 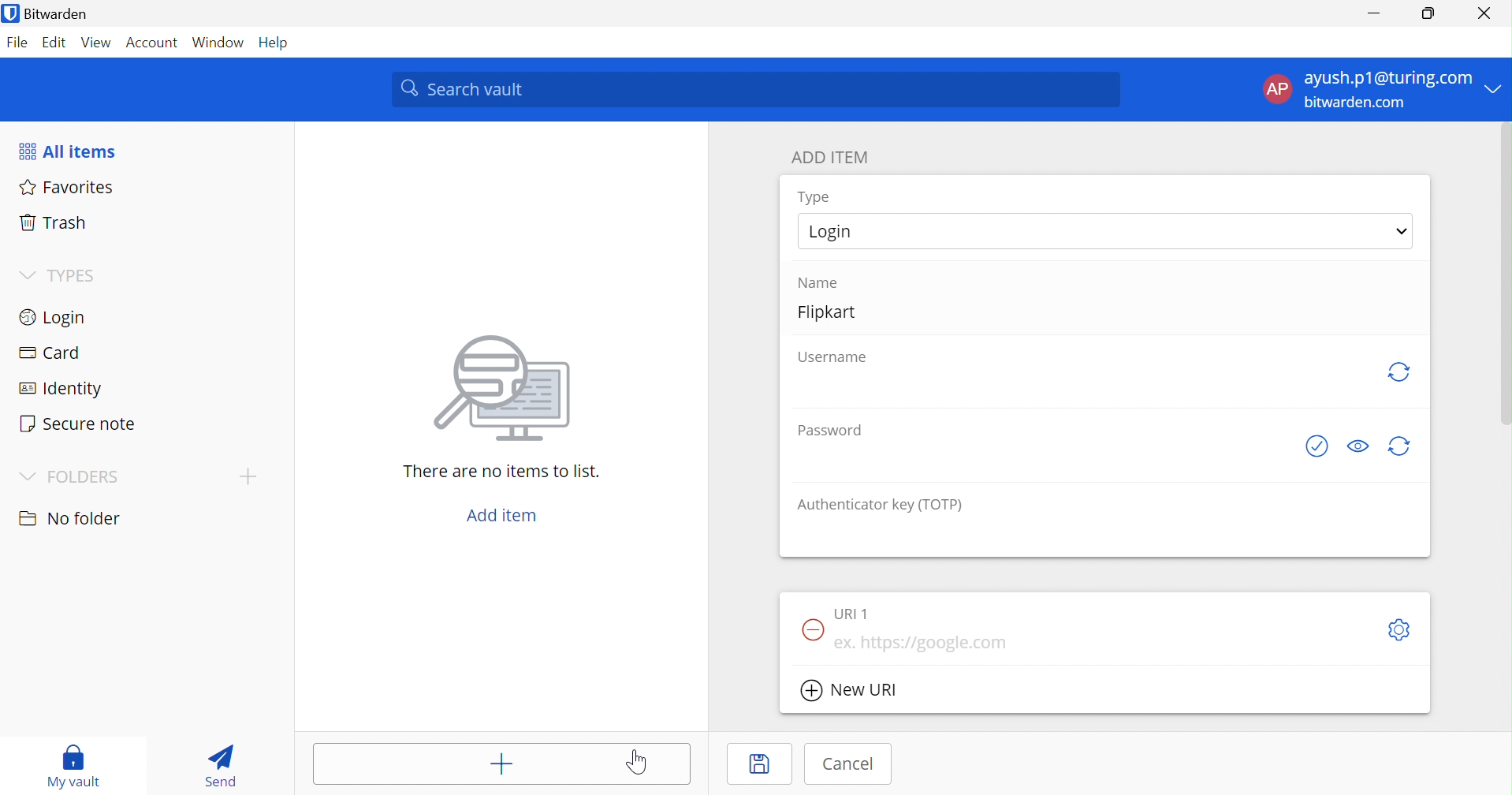 What do you see at coordinates (50, 223) in the screenshot?
I see `Trash` at bounding box center [50, 223].